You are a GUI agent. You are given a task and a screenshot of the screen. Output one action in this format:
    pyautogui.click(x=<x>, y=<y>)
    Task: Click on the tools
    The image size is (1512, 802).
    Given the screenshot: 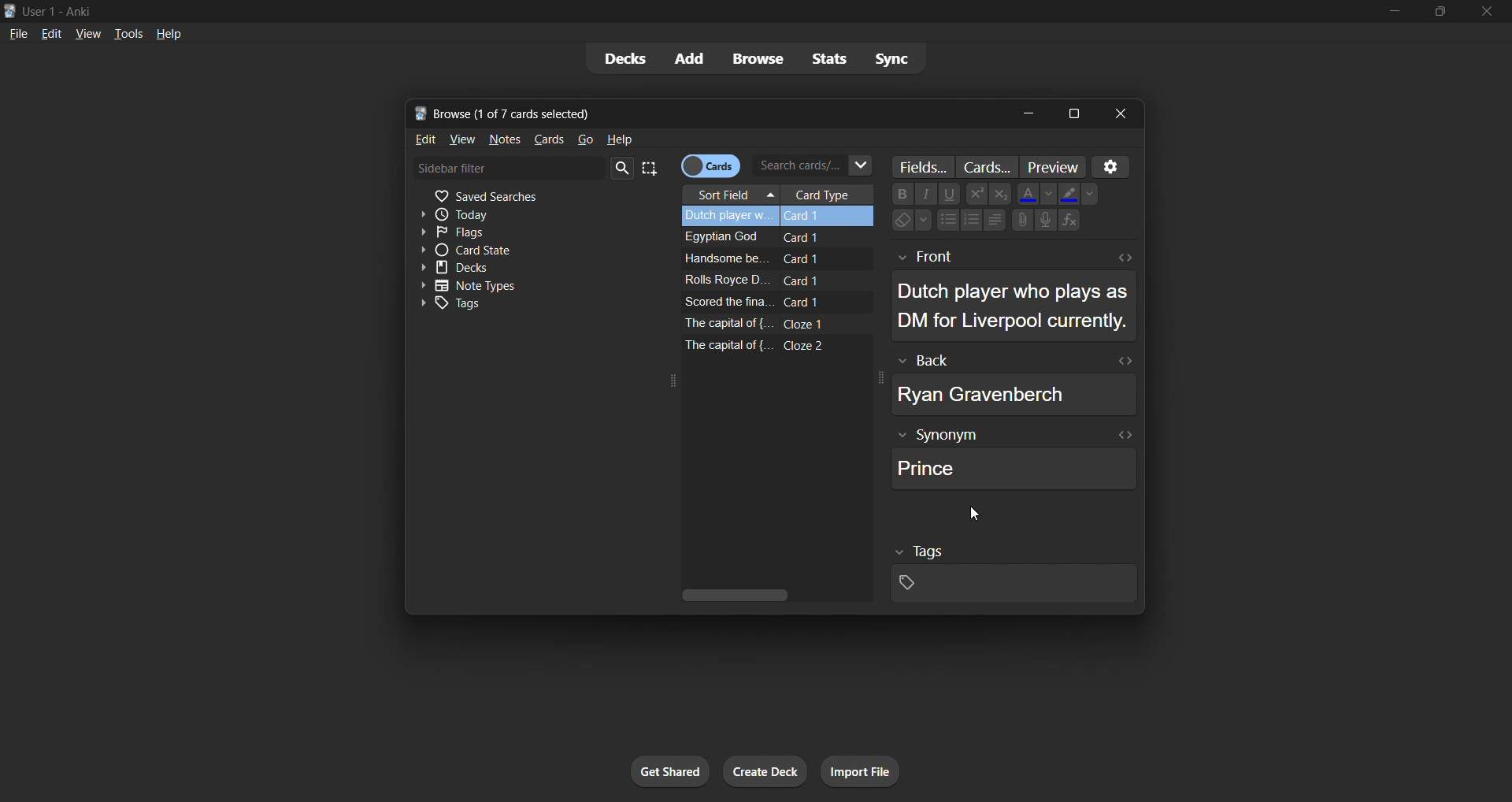 What is the action you would take?
    pyautogui.click(x=127, y=34)
    